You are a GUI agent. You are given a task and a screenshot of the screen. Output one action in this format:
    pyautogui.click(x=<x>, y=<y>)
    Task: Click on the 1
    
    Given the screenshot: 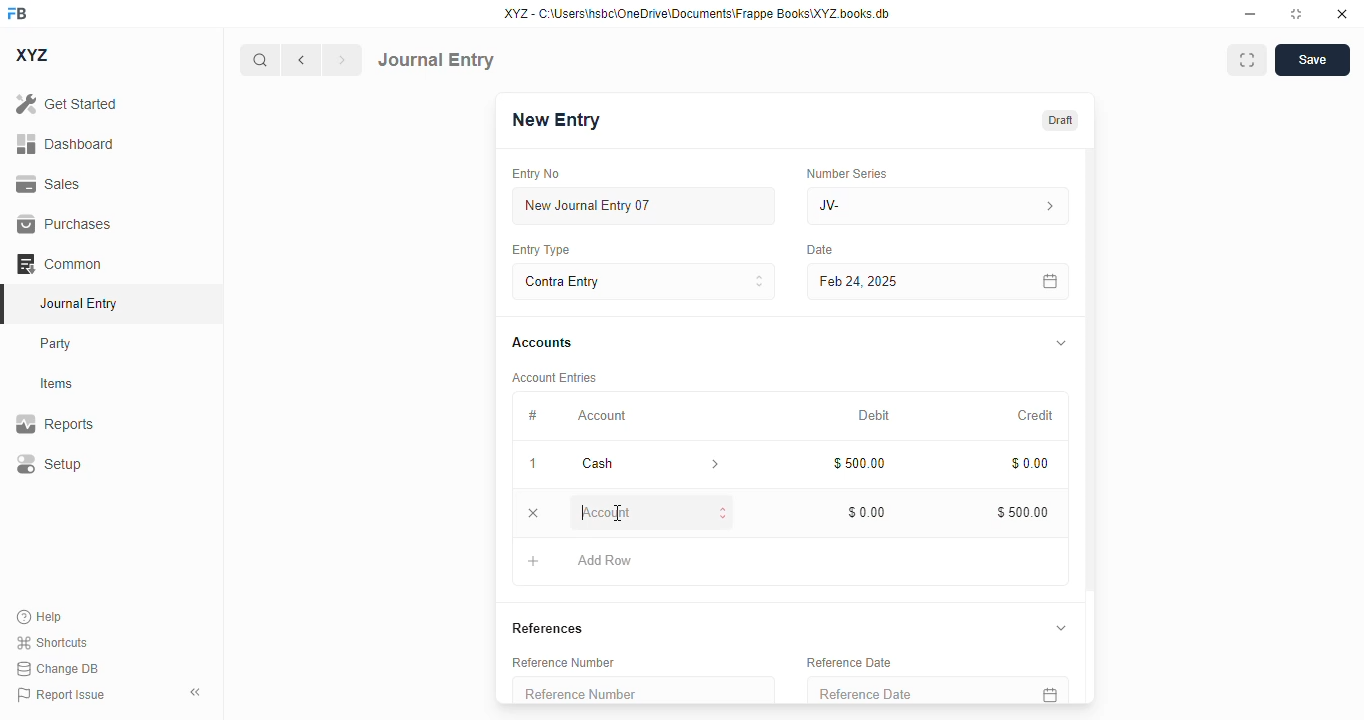 What is the action you would take?
    pyautogui.click(x=534, y=465)
    